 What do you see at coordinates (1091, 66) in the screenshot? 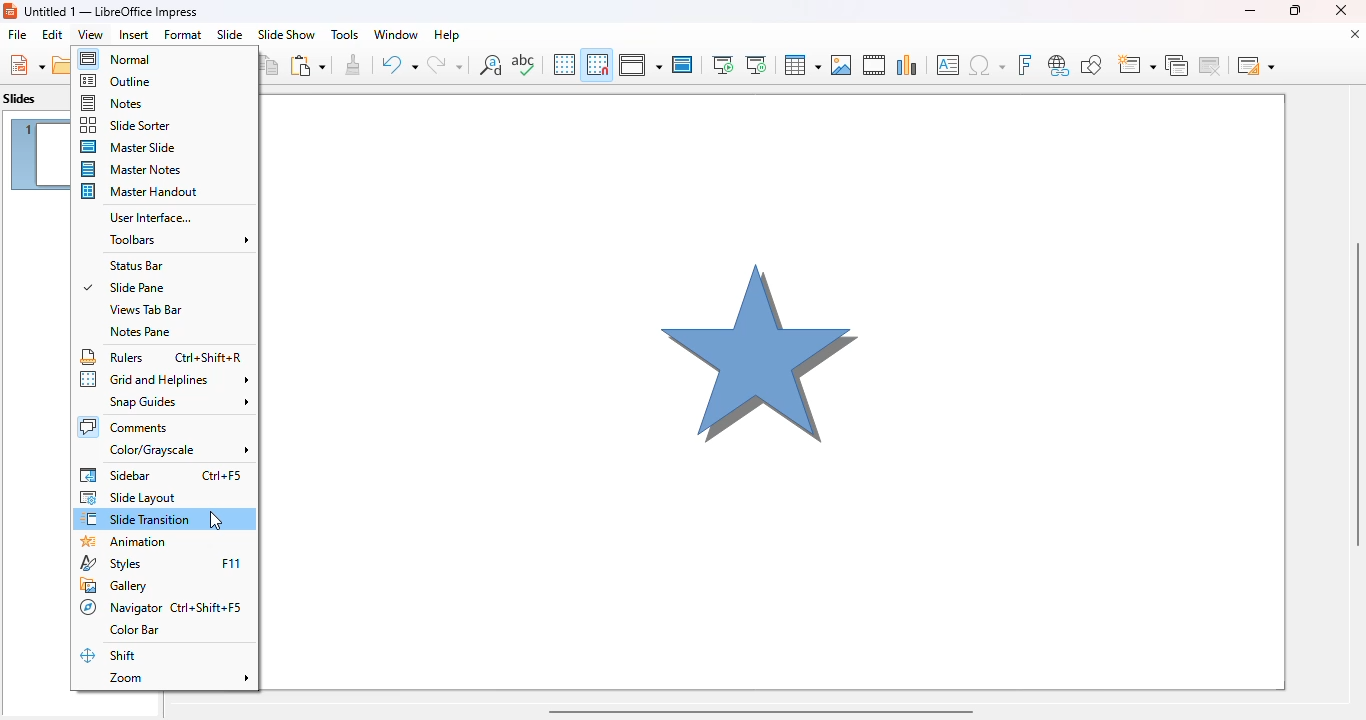
I see `show draw functions` at bounding box center [1091, 66].